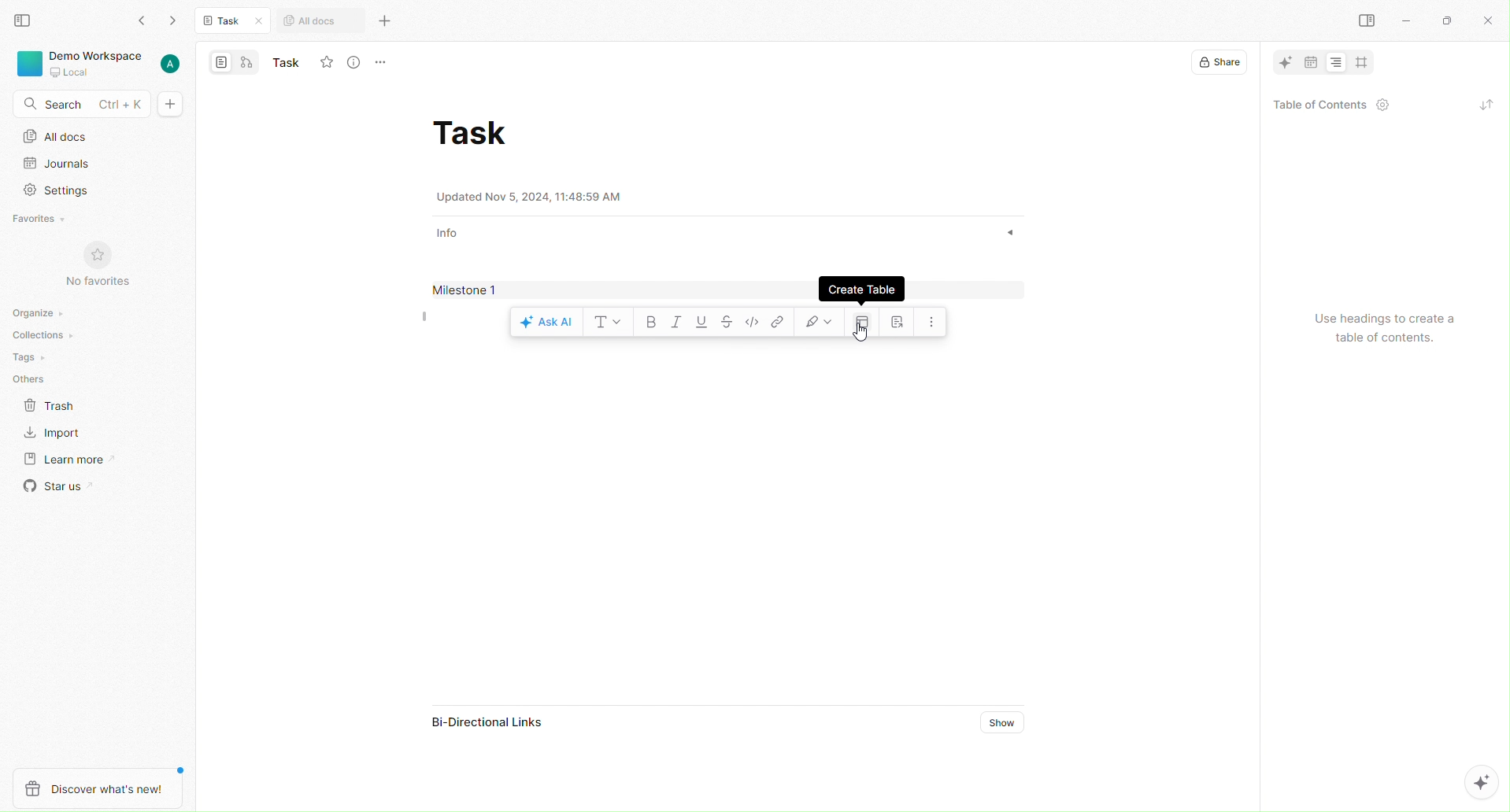 The width and height of the screenshot is (1510, 812). What do you see at coordinates (34, 312) in the screenshot?
I see `Organize` at bounding box center [34, 312].